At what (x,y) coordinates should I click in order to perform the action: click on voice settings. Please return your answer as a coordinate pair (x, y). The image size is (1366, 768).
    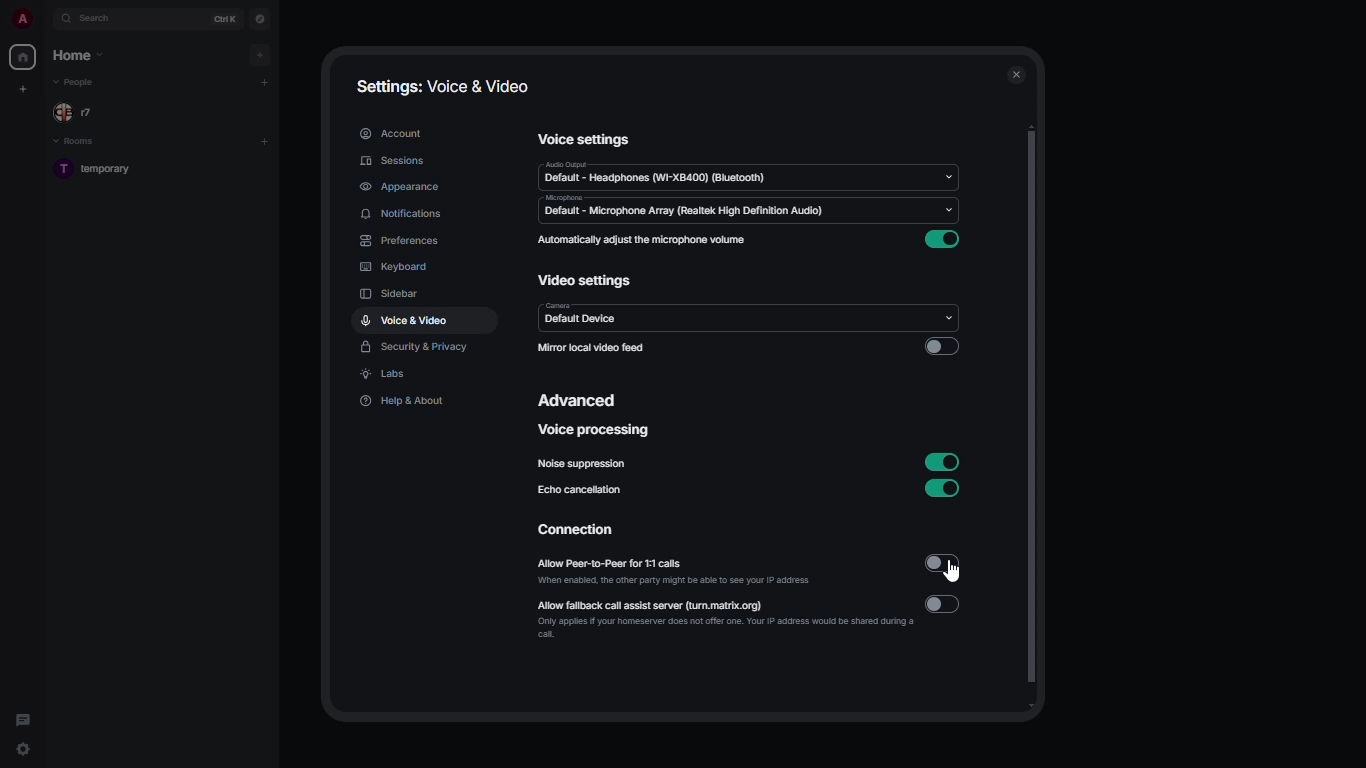
    Looking at the image, I should click on (587, 140).